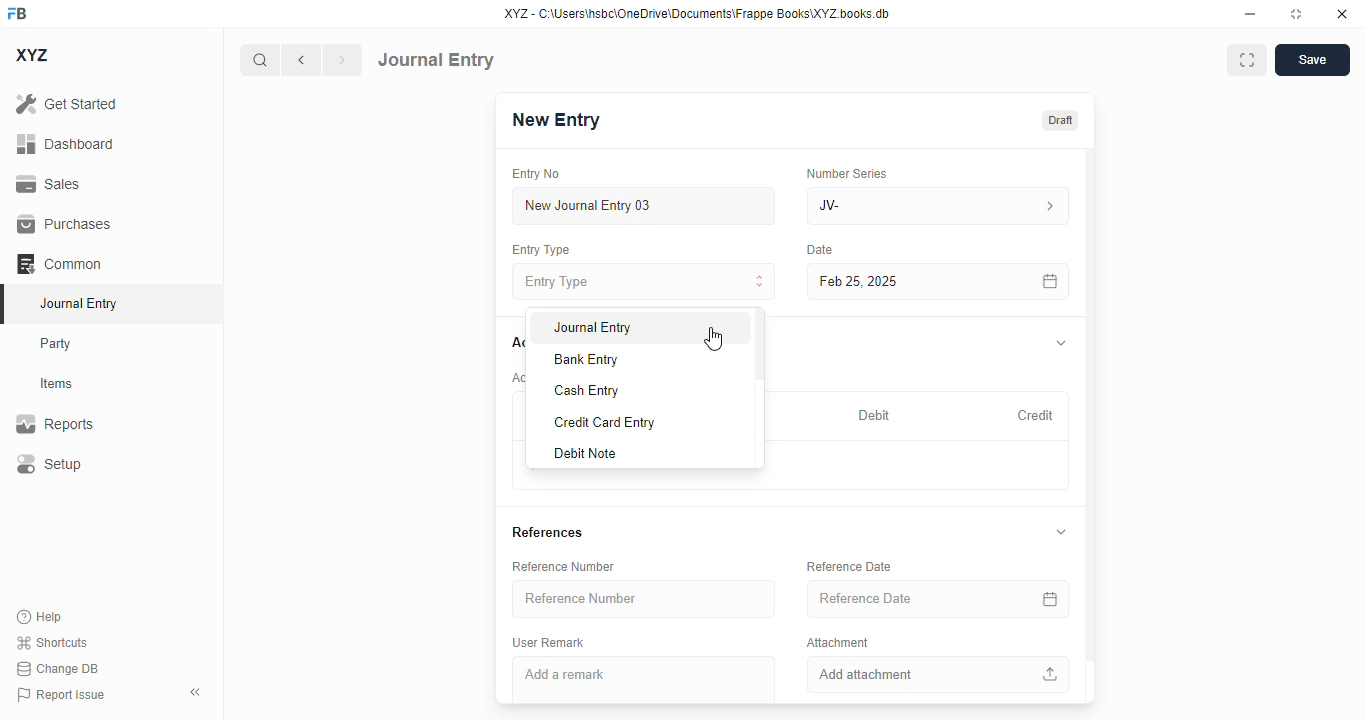  Describe the element at coordinates (58, 668) in the screenshot. I see `change DB` at that location.